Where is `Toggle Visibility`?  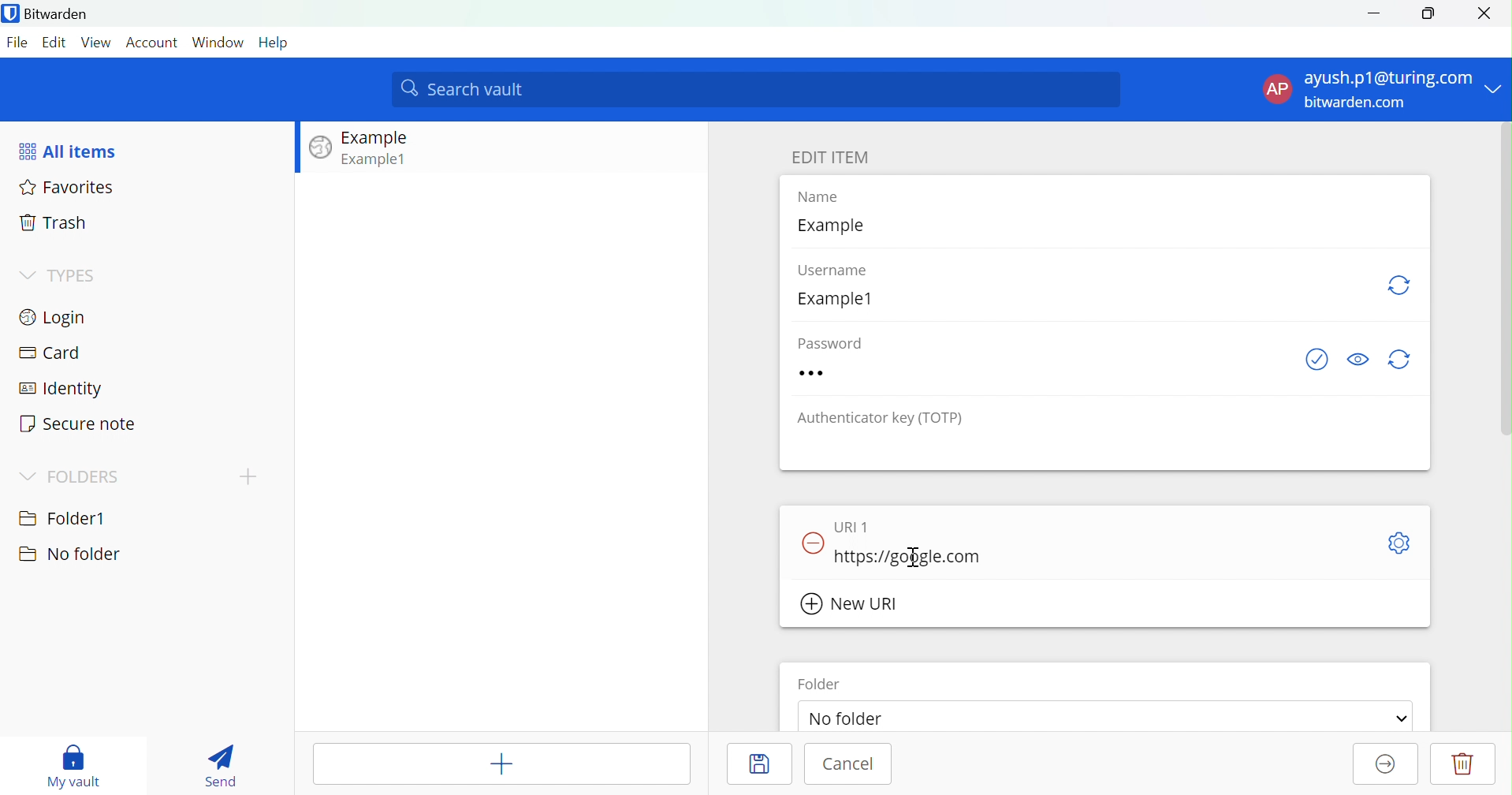 Toggle Visibility is located at coordinates (1359, 358).